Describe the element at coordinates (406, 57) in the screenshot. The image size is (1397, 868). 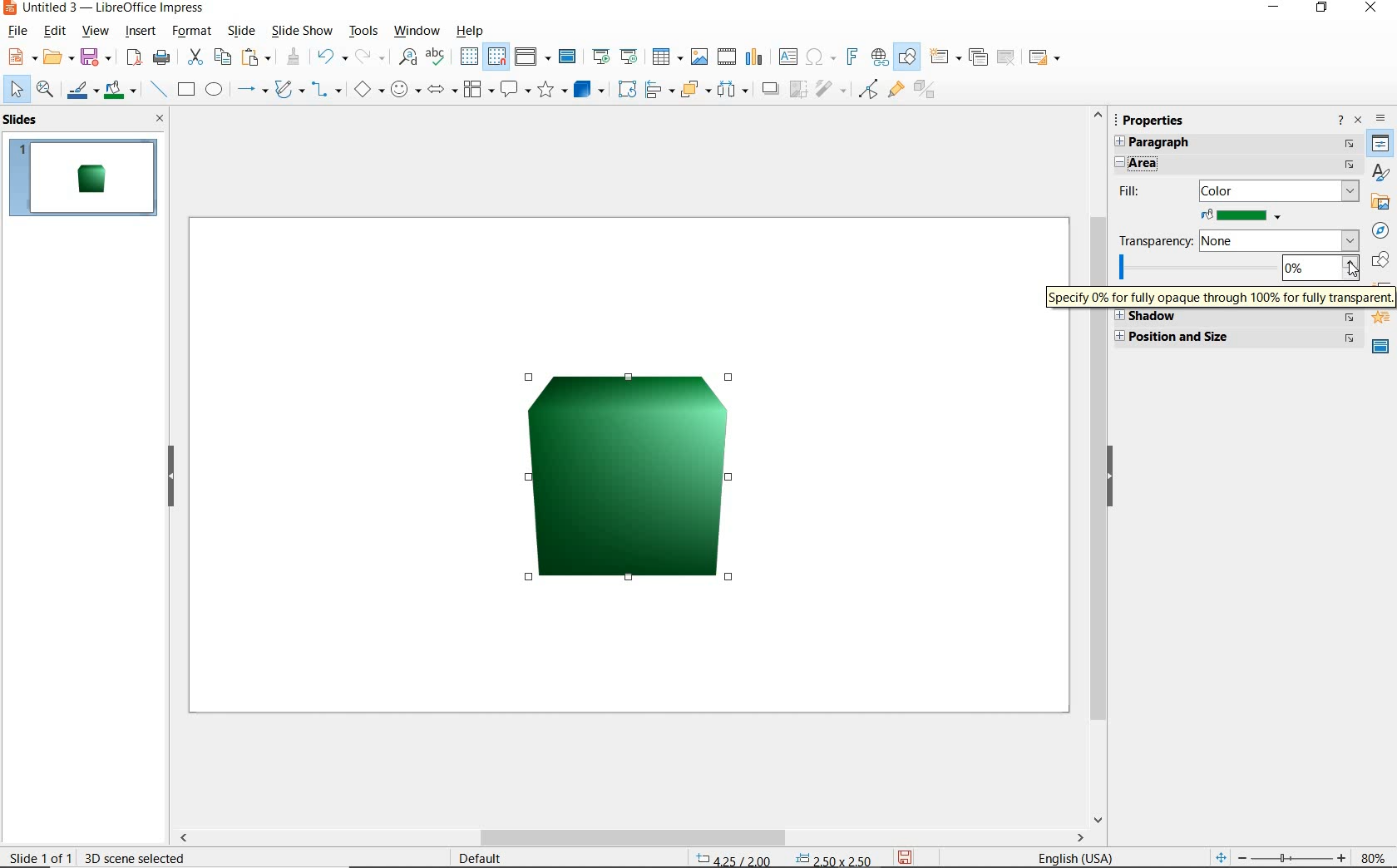
I see `find and replace` at that location.